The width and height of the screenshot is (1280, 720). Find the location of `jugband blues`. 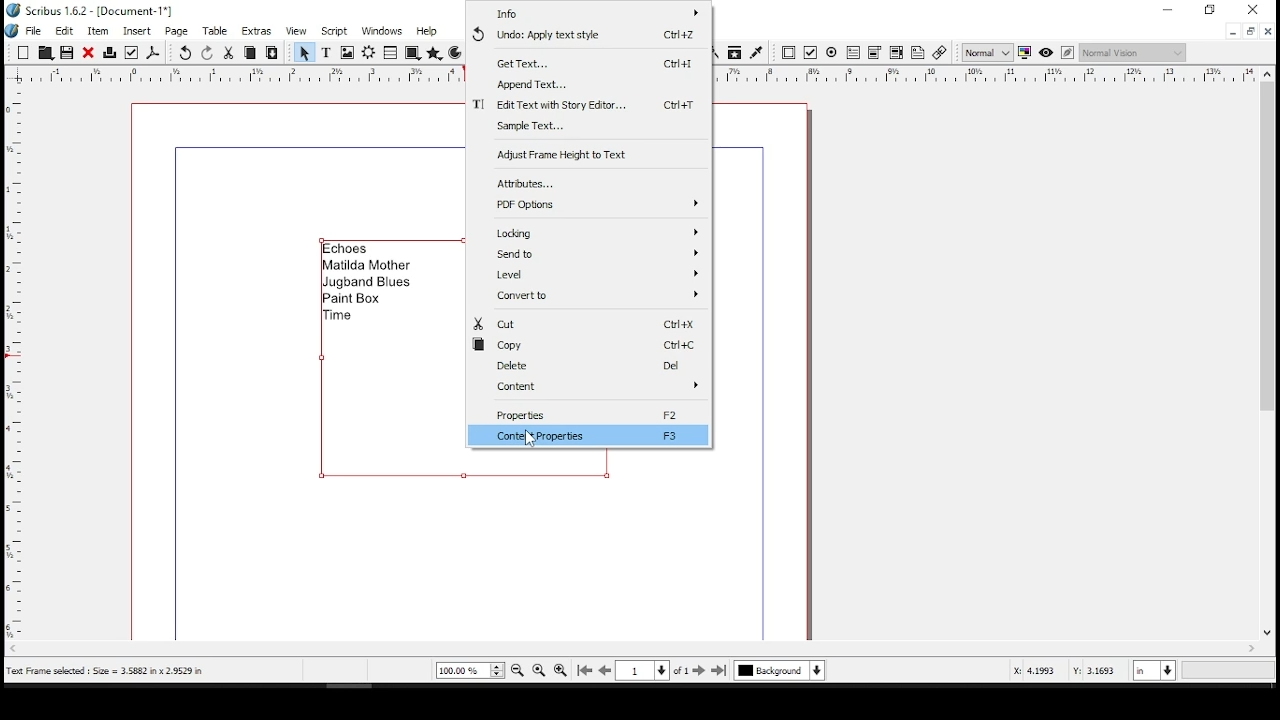

jugband blues is located at coordinates (369, 284).